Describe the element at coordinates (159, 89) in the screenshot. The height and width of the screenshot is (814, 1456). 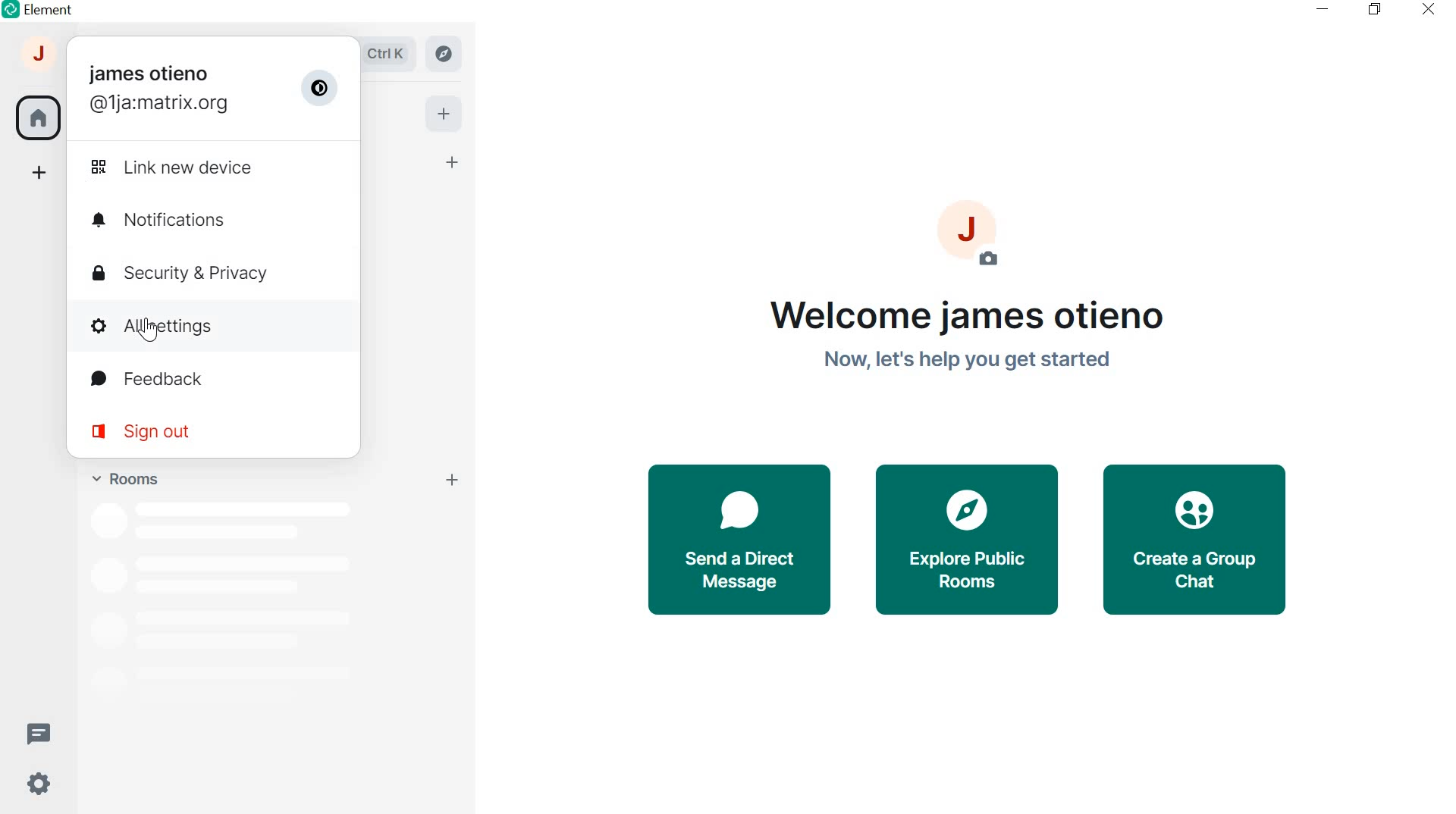
I see `James otieno. @1ja:matrix.org` at that location.